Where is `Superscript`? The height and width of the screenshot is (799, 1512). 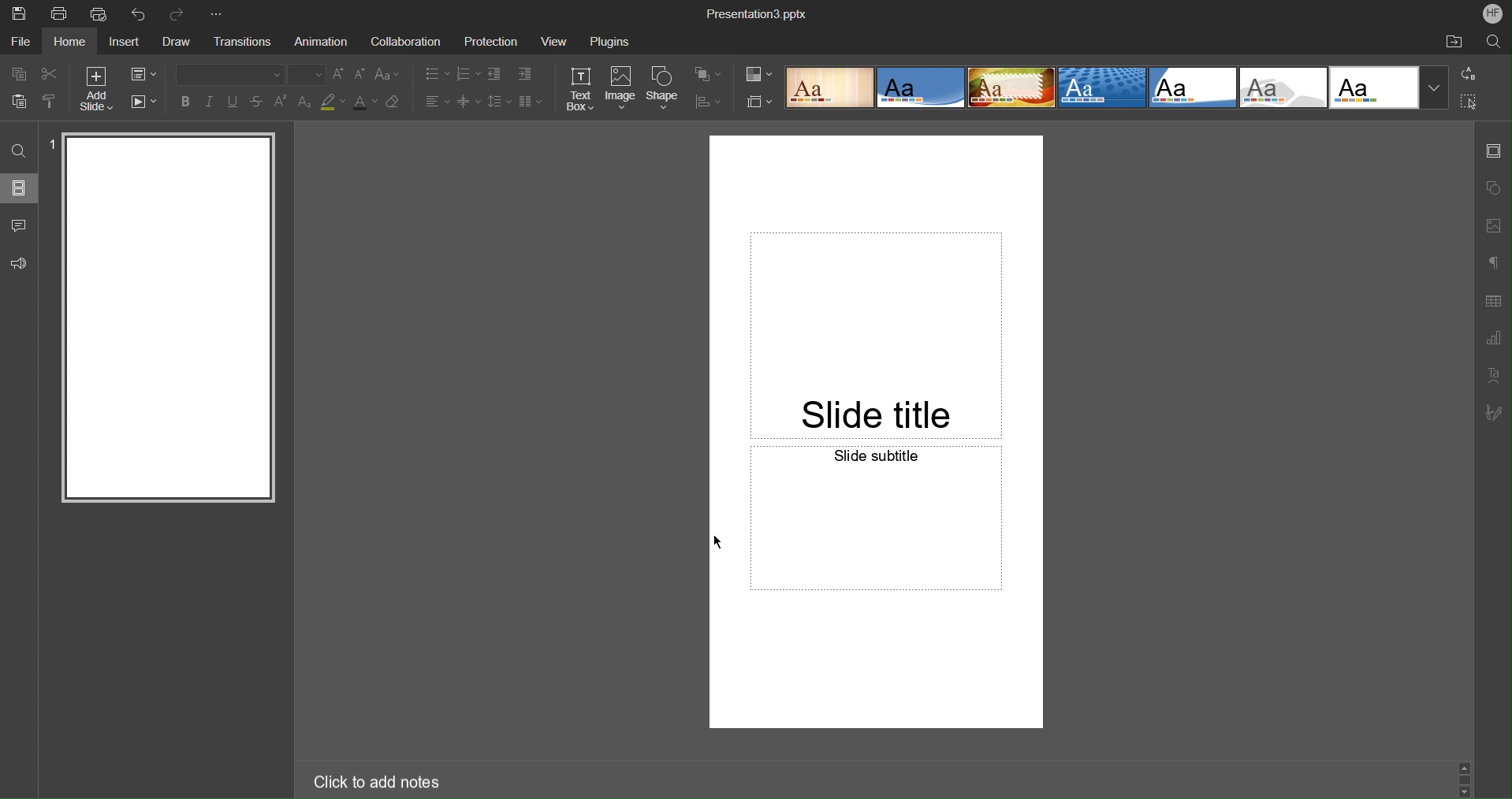
Superscript is located at coordinates (281, 102).